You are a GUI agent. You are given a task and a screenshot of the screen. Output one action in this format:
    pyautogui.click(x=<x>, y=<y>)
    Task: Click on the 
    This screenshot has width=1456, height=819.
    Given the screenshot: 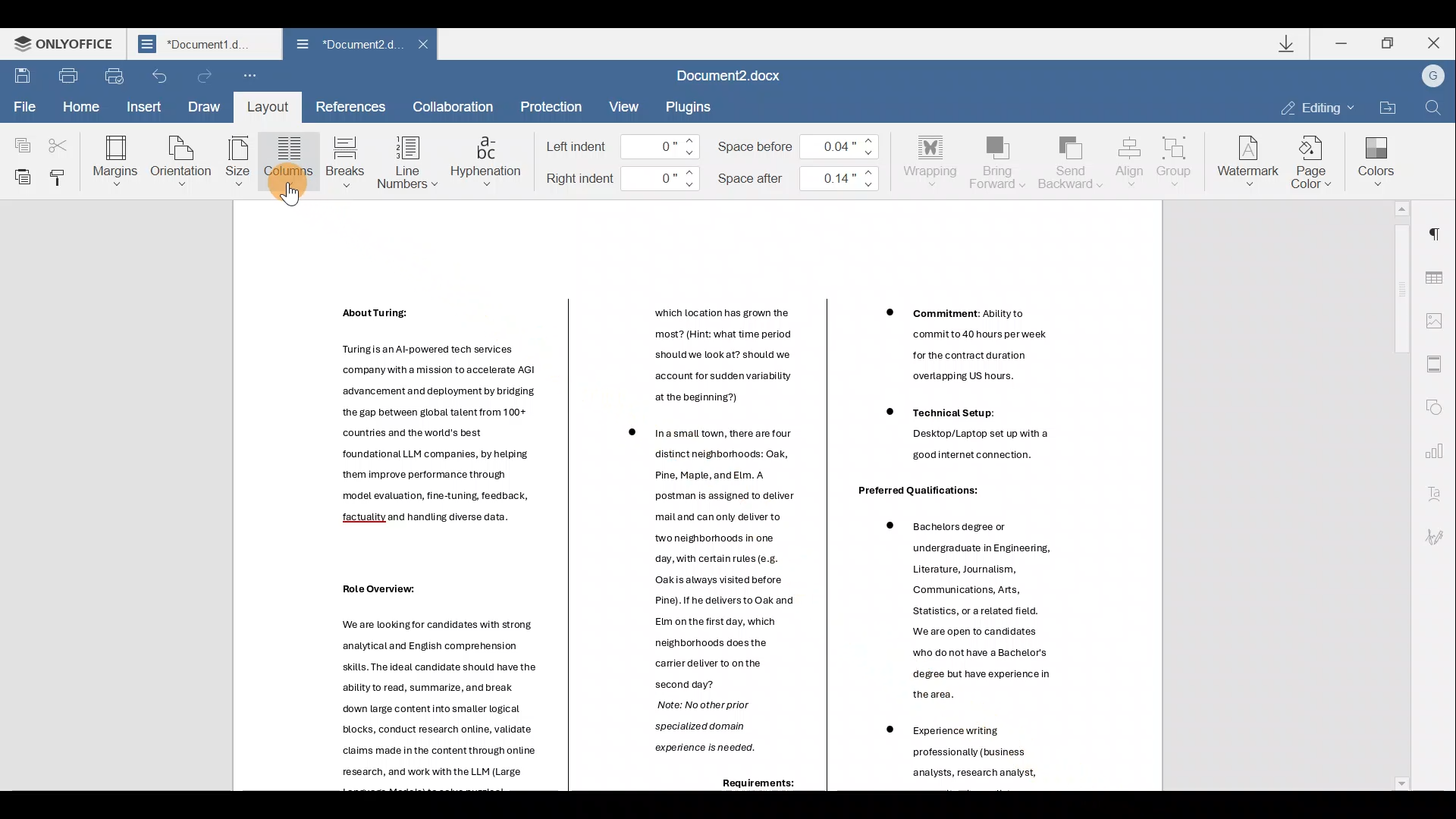 What is the action you would take?
    pyautogui.click(x=745, y=785)
    